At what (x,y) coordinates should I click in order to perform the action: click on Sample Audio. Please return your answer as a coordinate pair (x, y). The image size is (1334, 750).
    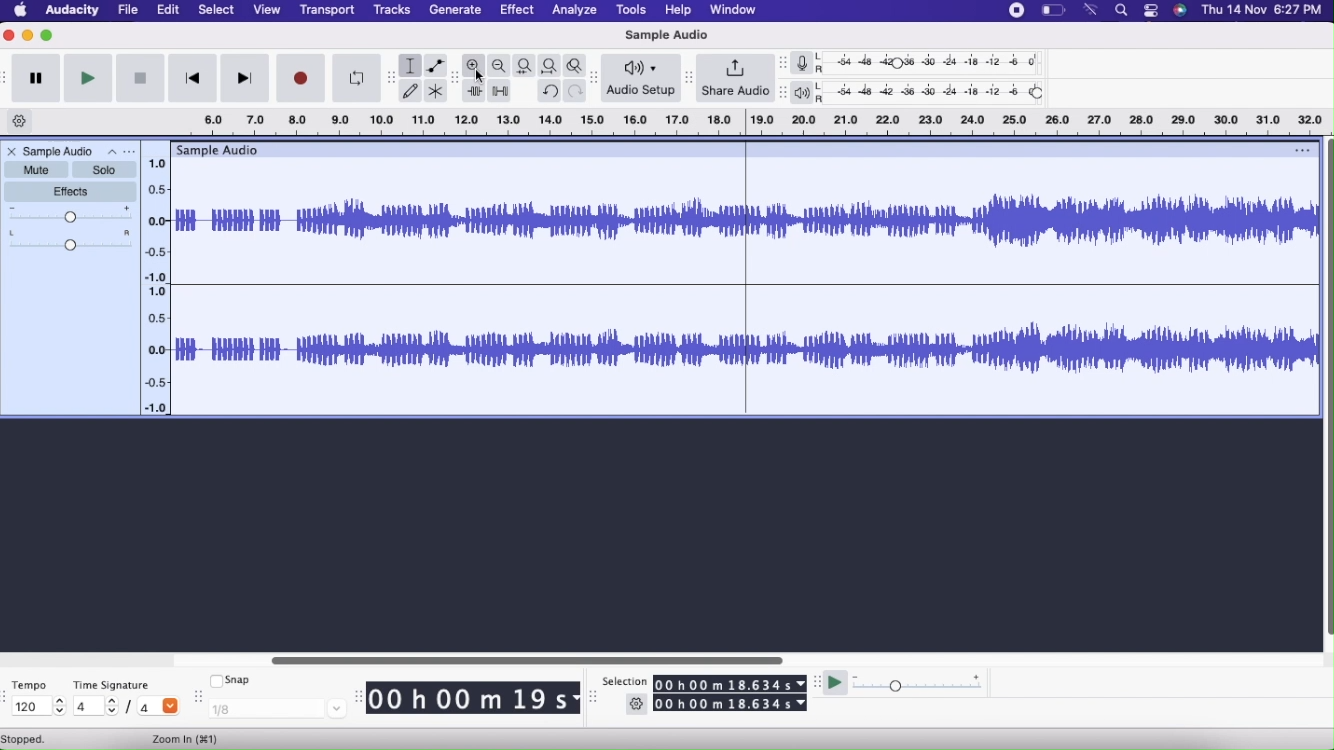
    Looking at the image, I should click on (667, 35).